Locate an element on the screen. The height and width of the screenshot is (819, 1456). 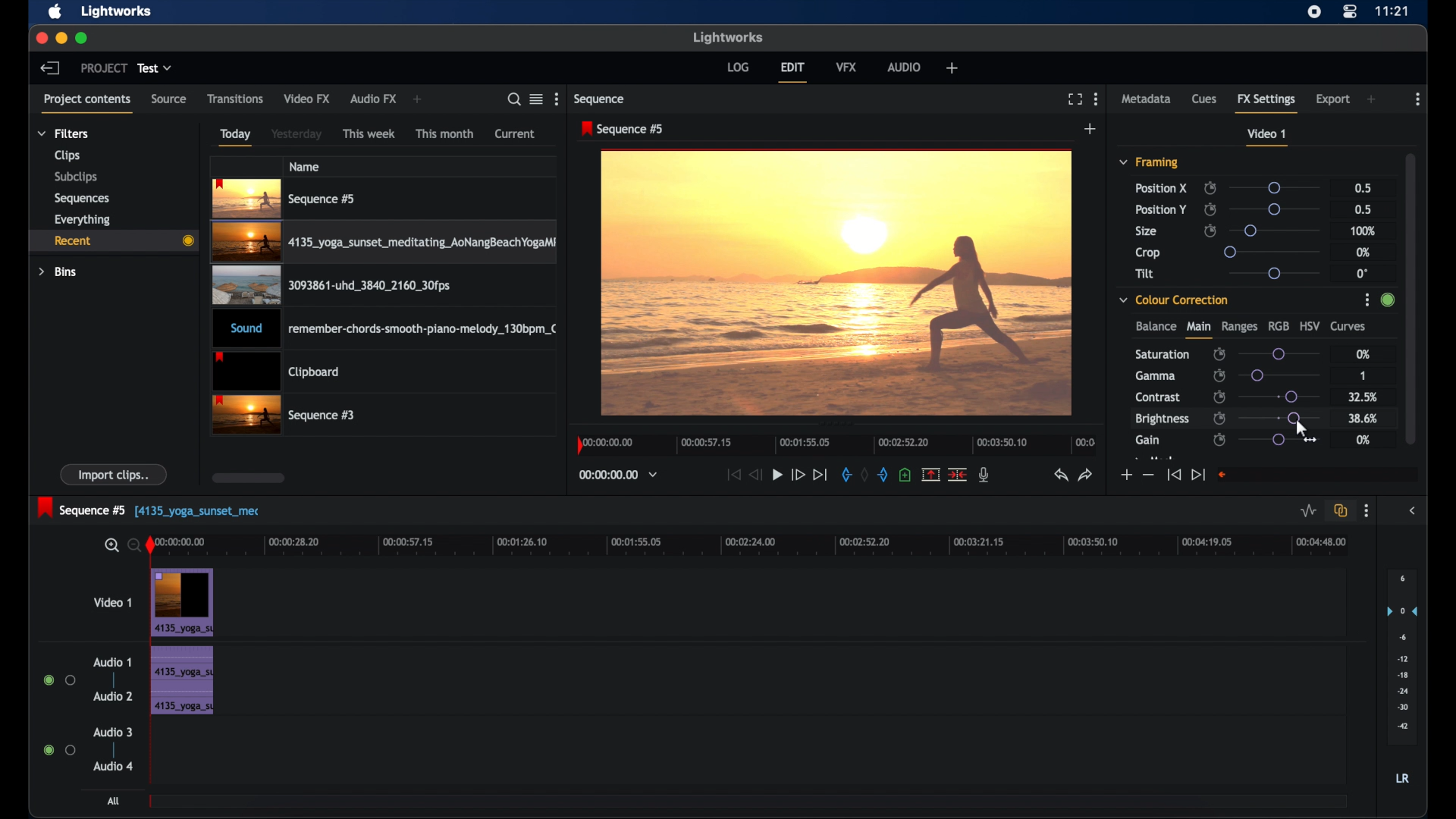
video 1 is located at coordinates (1266, 137).